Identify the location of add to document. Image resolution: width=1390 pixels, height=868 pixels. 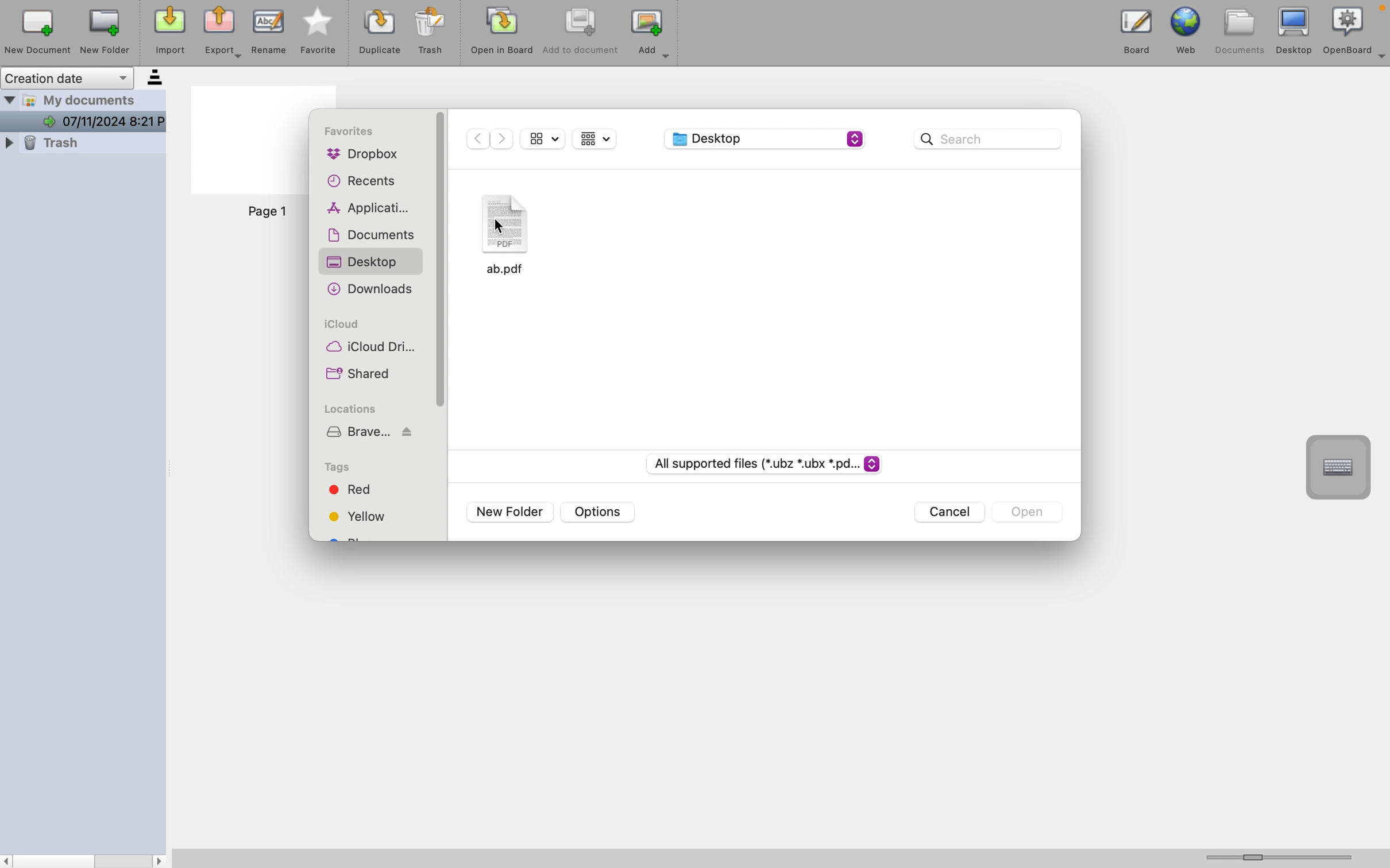
(581, 35).